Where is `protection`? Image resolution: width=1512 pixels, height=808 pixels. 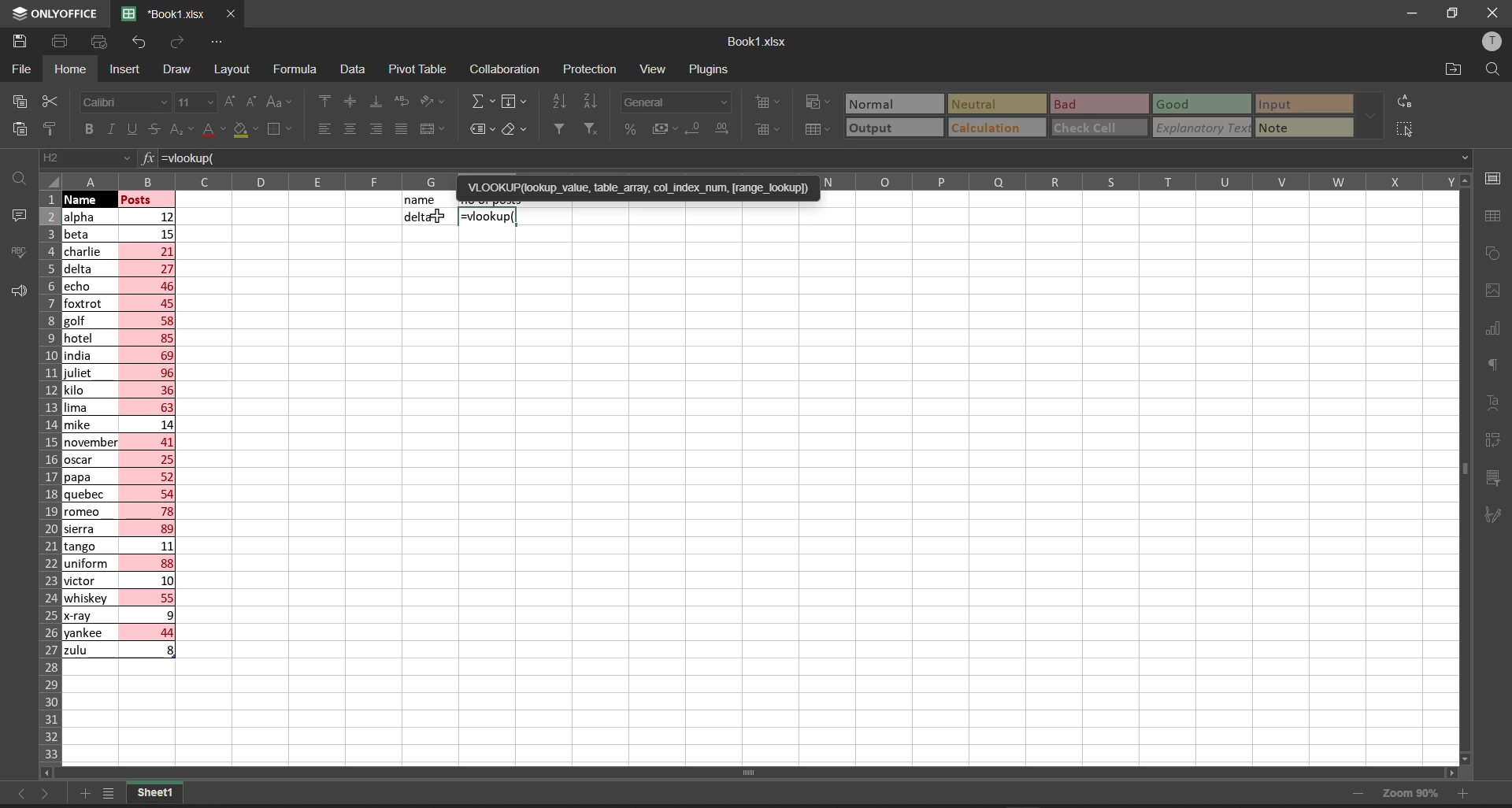 protection is located at coordinates (594, 69).